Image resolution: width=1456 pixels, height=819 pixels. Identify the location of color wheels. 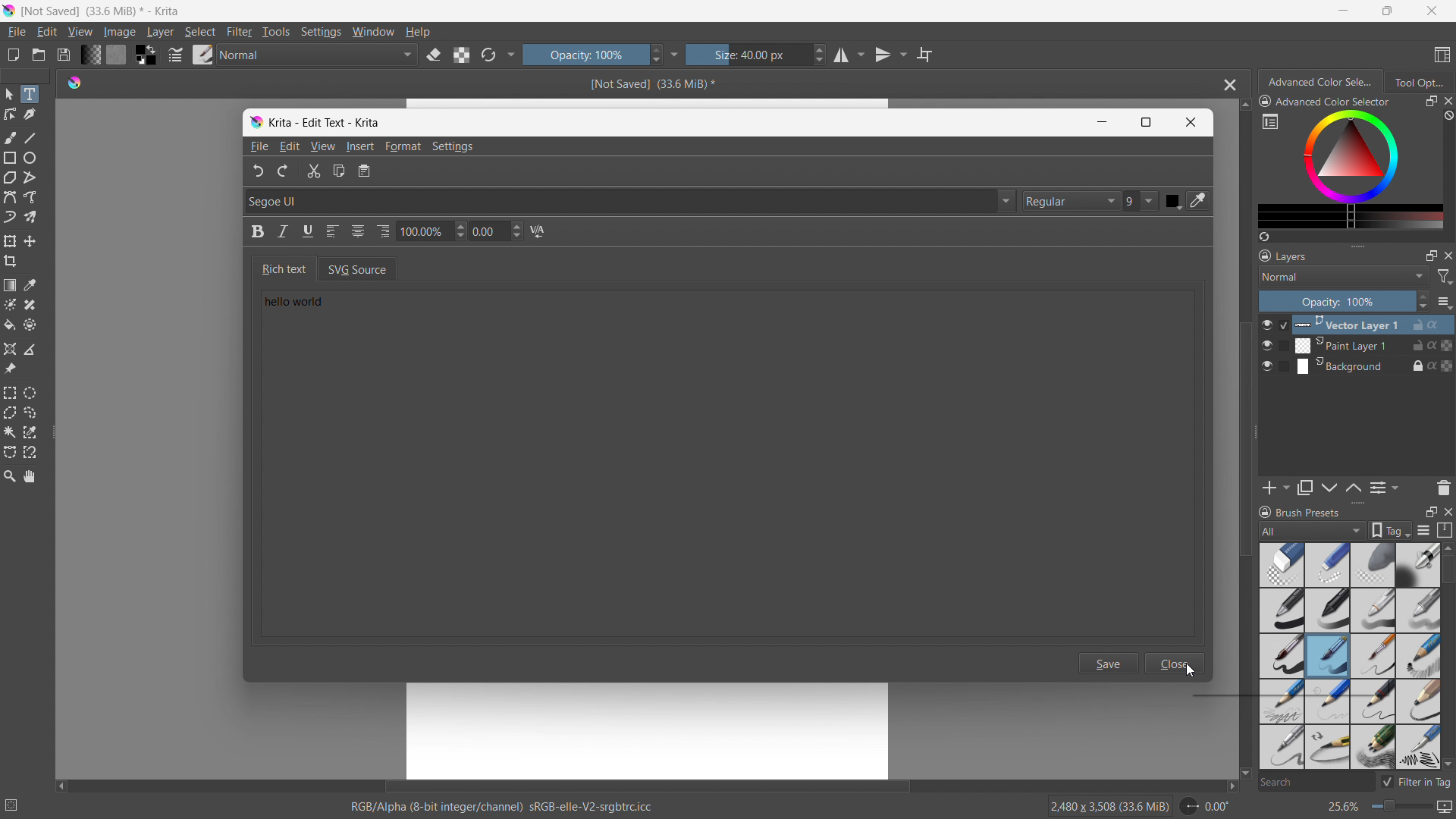
(1351, 155).